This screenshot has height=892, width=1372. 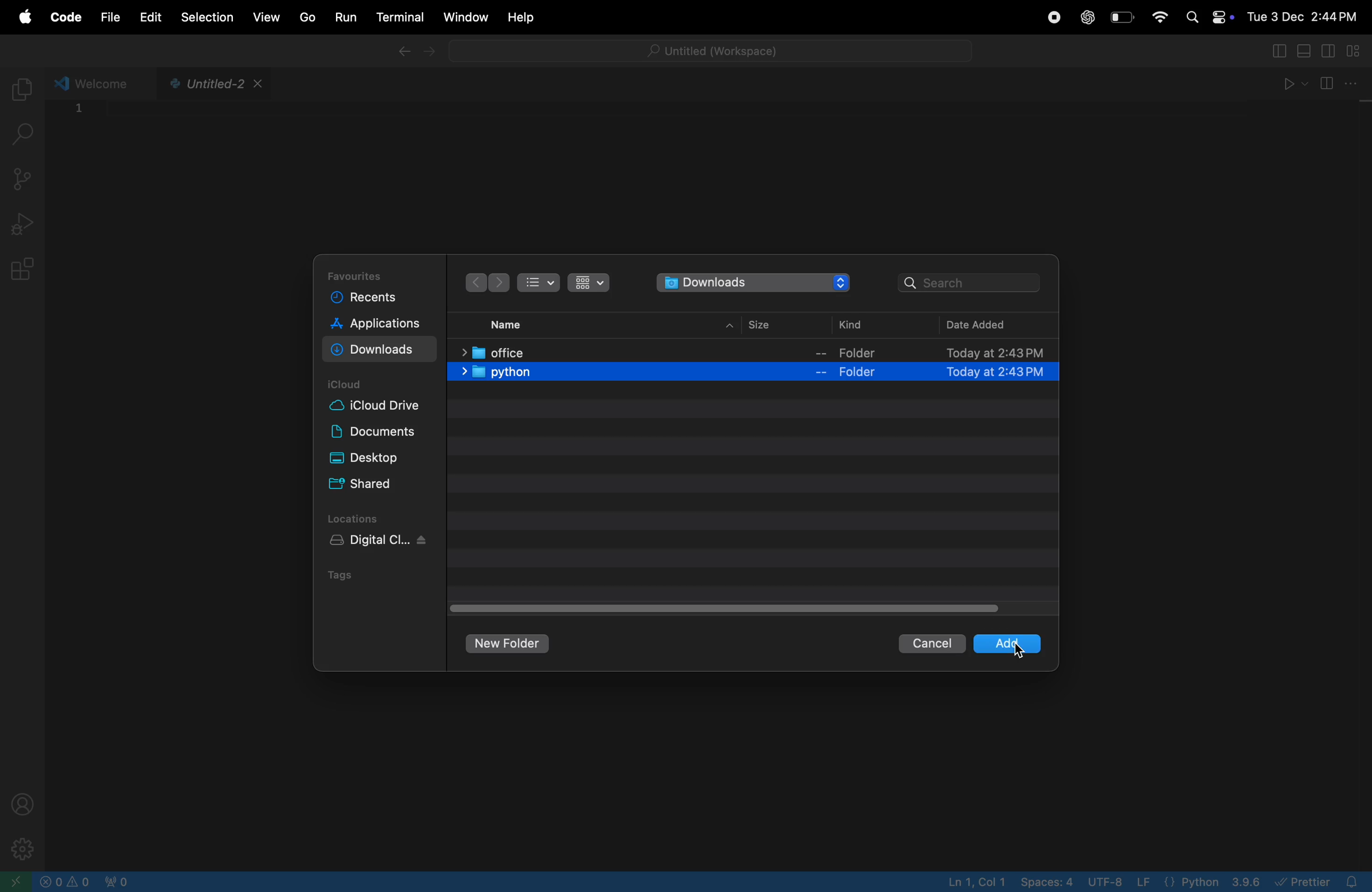 What do you see at coordinates (464, 16) in the screenshot?
I see `window` at bounding box center [464, 16].